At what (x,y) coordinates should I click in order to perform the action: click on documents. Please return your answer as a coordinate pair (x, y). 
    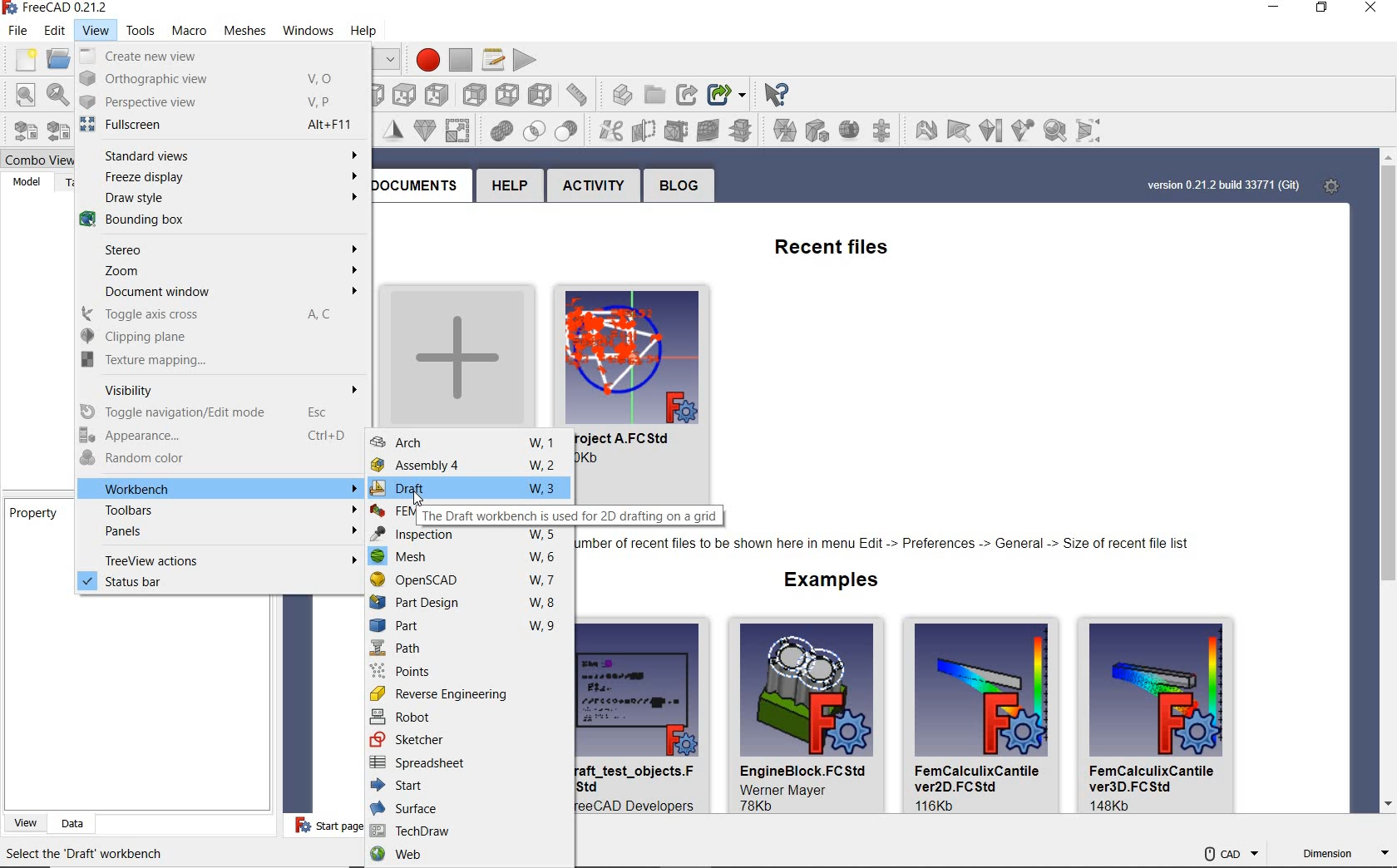
    Looking at the image, I should click on (417, 185).